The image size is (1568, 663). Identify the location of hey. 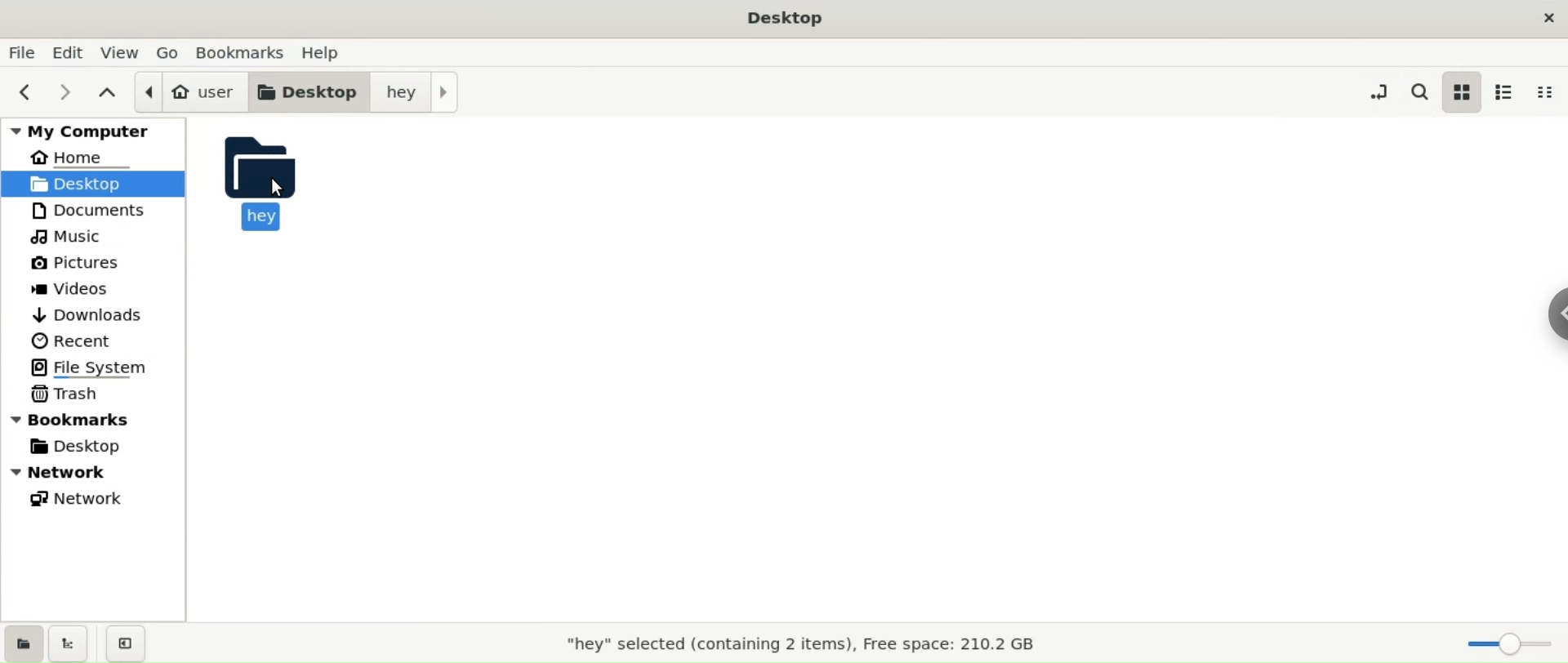
(272, 180).